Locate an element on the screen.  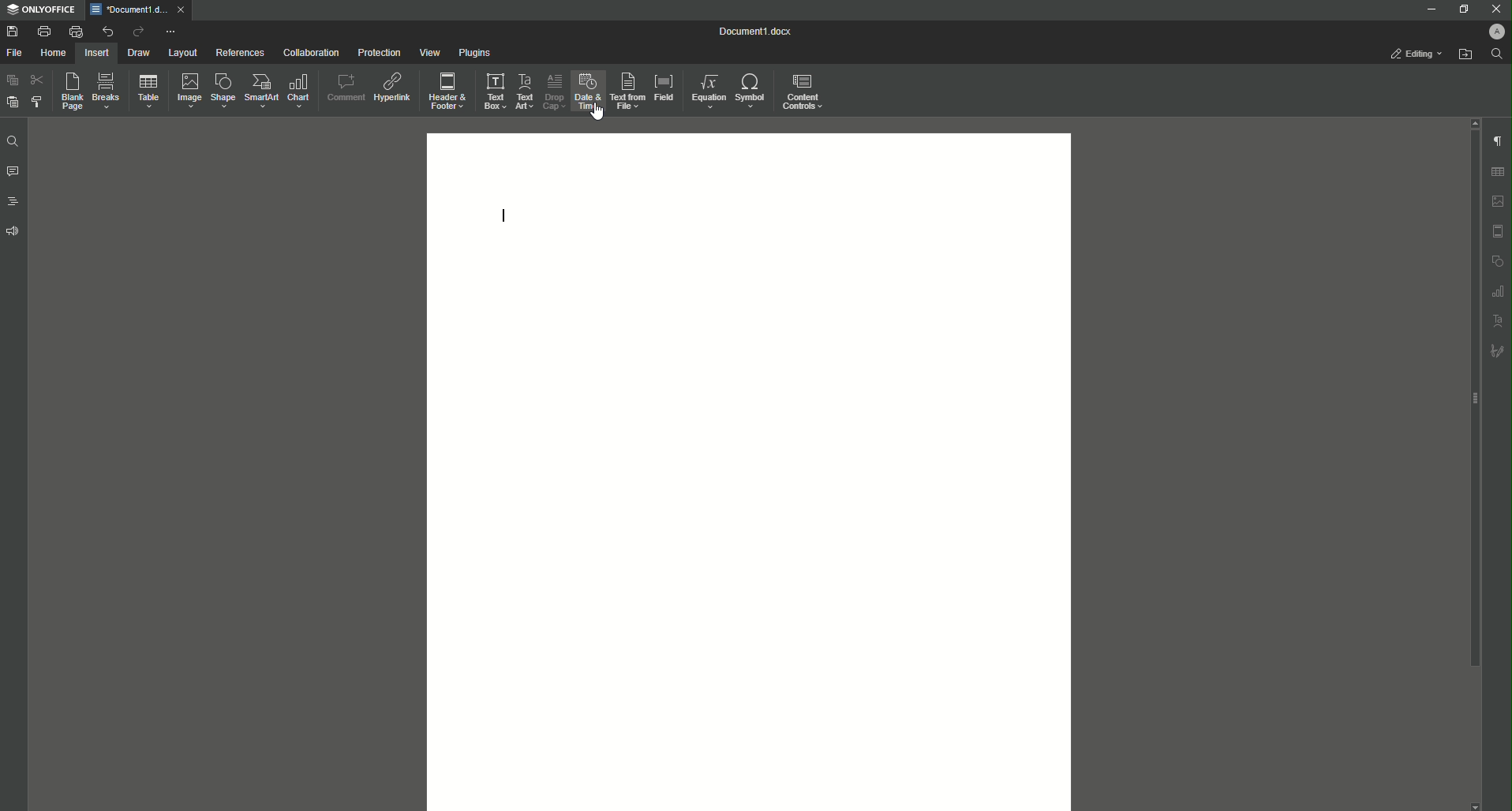
Minimize is located at coordinates (1429, 9).